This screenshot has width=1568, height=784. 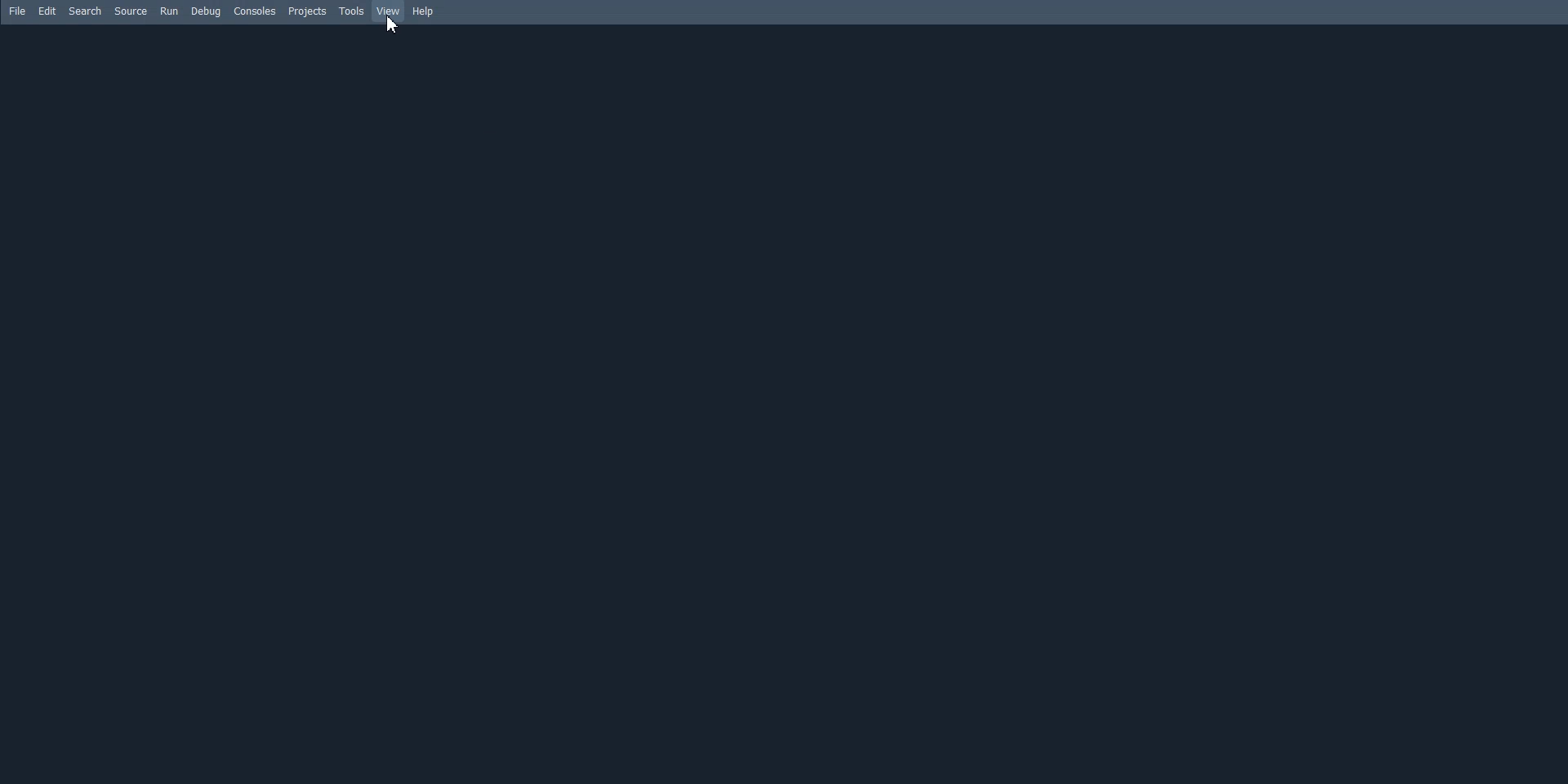 What do you see at coordinates (422, 12) in the screenshot?
I see `Help` at bounding box center [422, 12].